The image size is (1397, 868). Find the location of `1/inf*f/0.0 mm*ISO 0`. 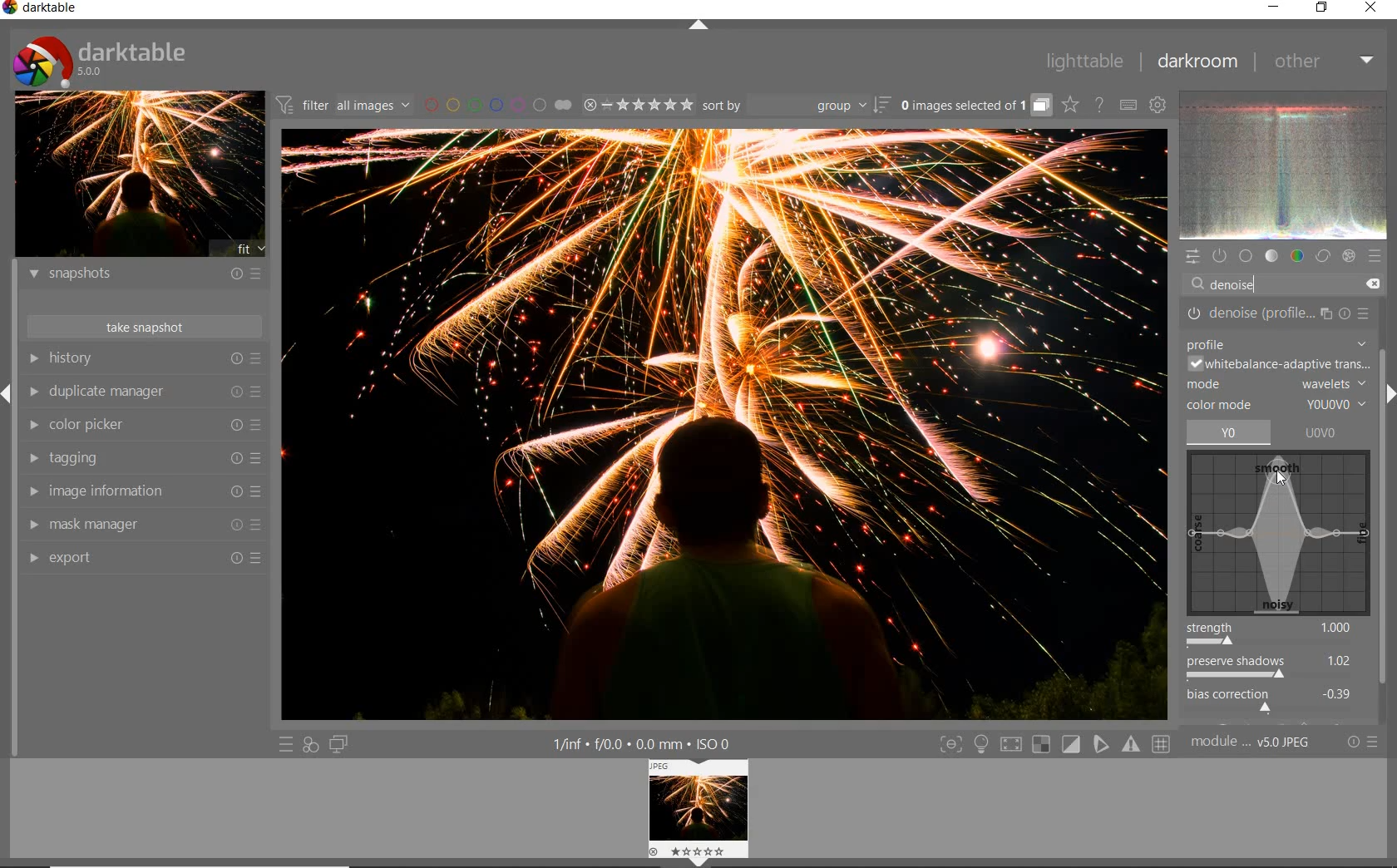

1/inf*f/0.0 mm*ISO 0 is located at coordinates (653, 744).